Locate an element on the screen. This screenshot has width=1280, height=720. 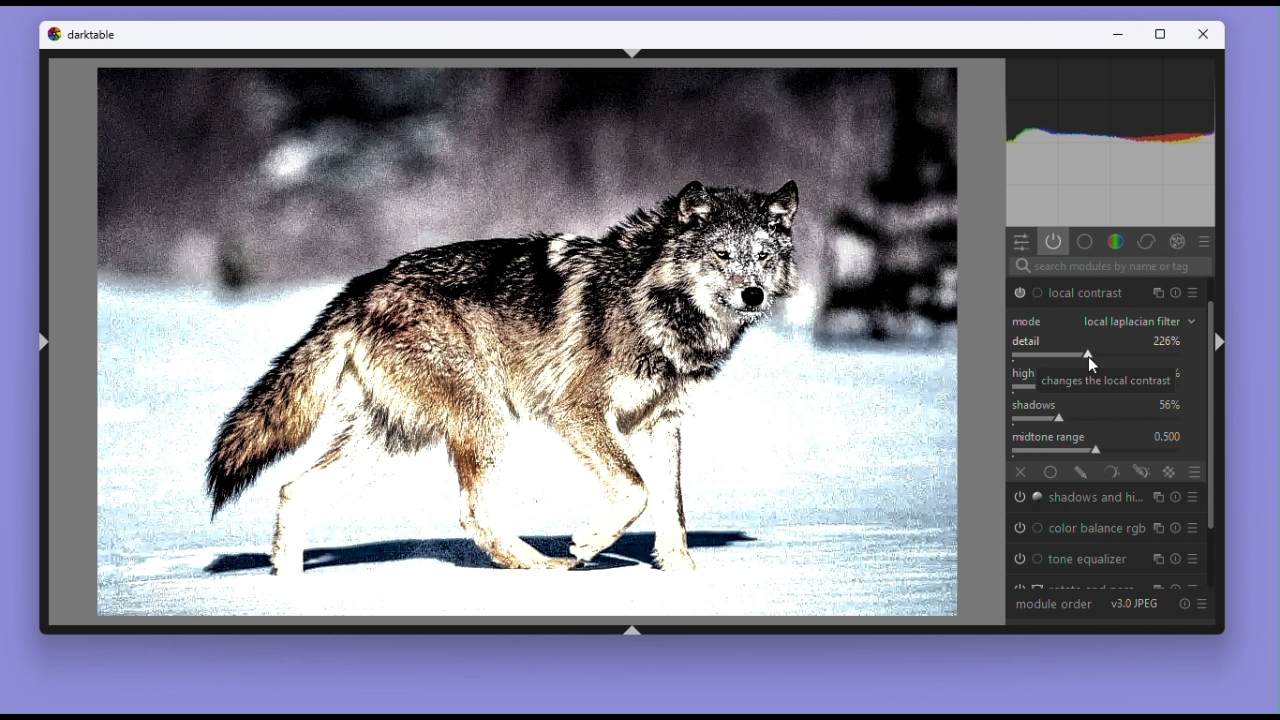
shift+ctrl+b is located at coordinates (632, 630).